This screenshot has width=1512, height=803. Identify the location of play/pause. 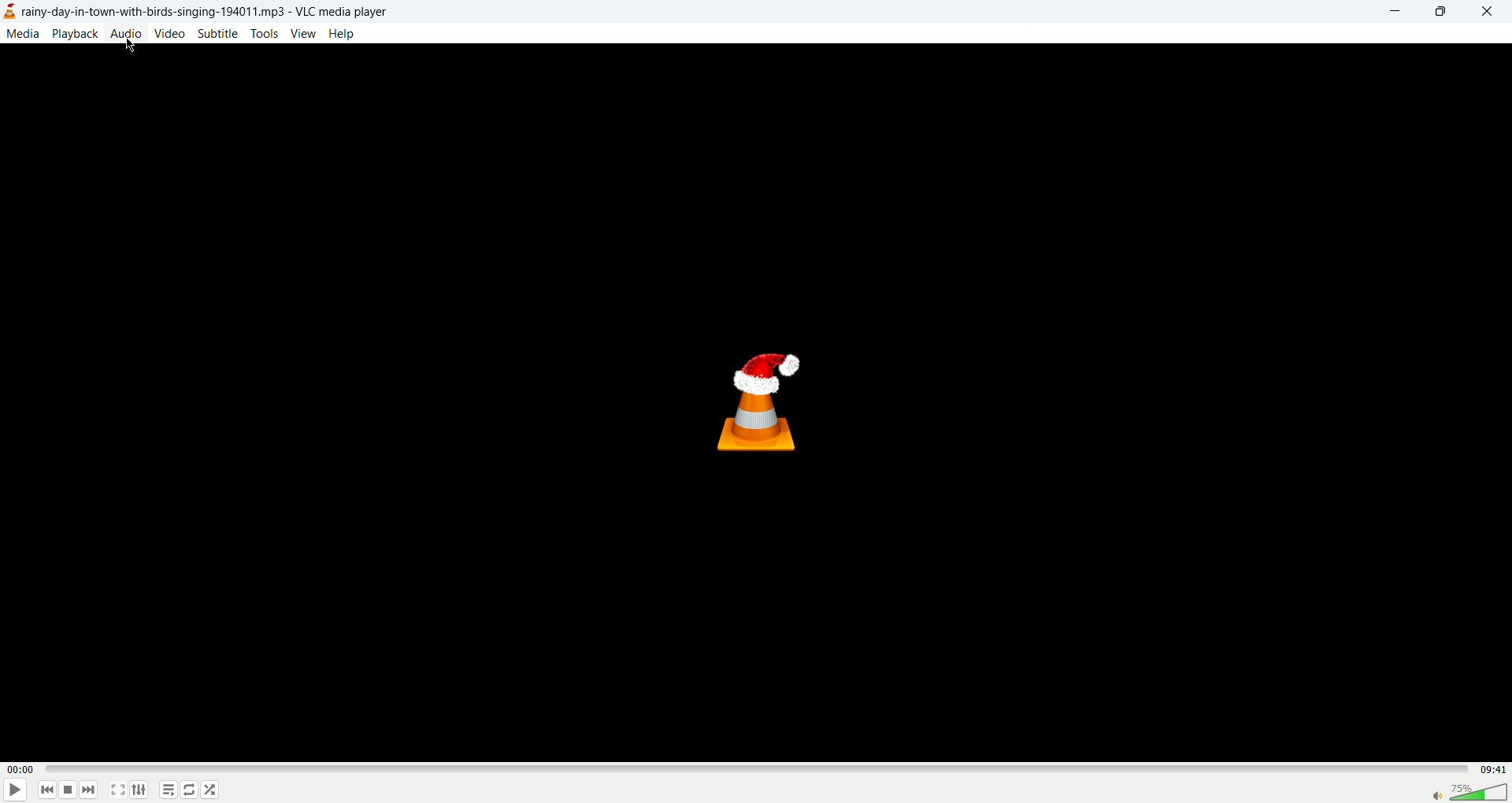
(16, 790).